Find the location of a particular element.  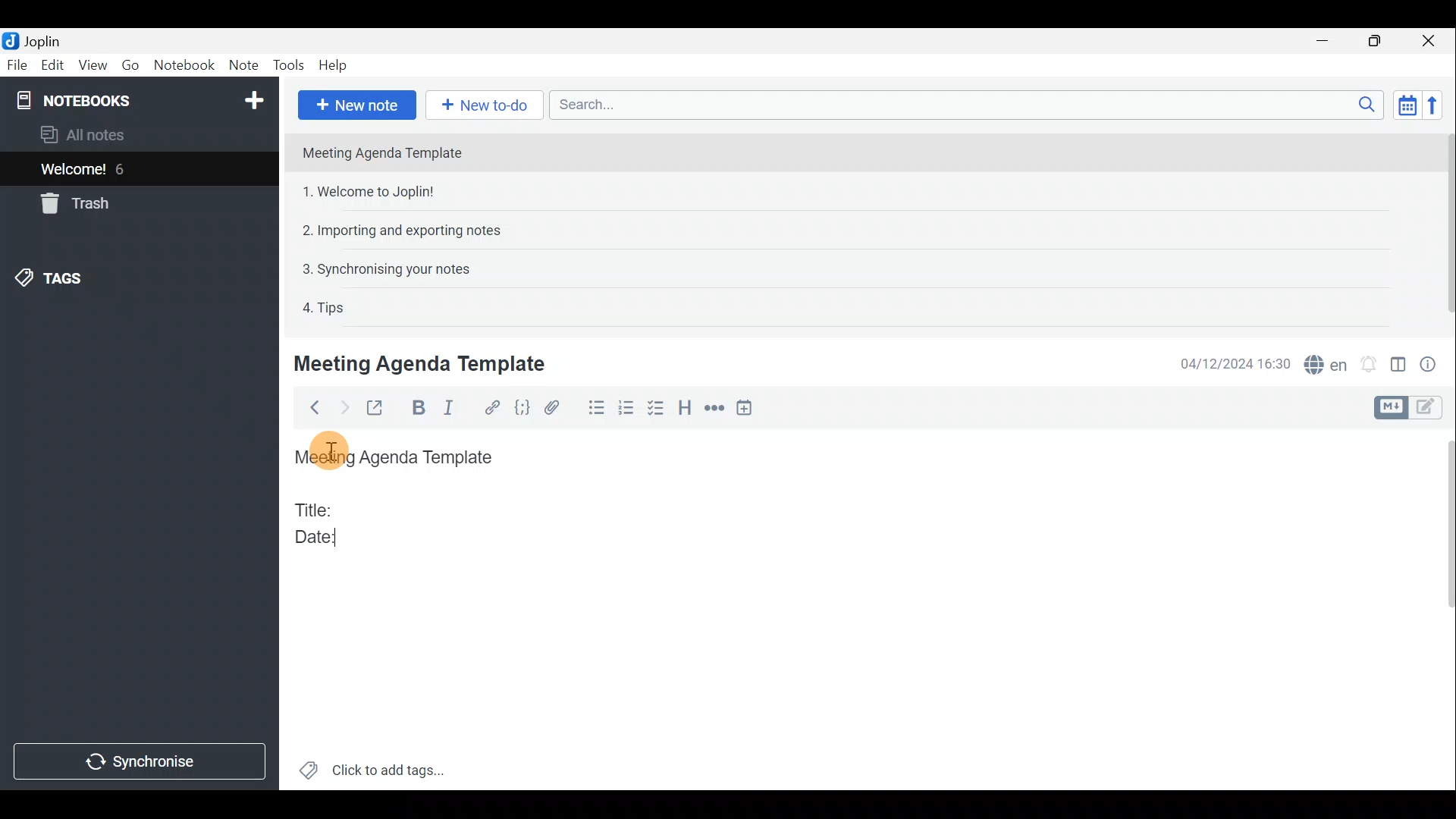

Go is located at coordinates (130, 64).